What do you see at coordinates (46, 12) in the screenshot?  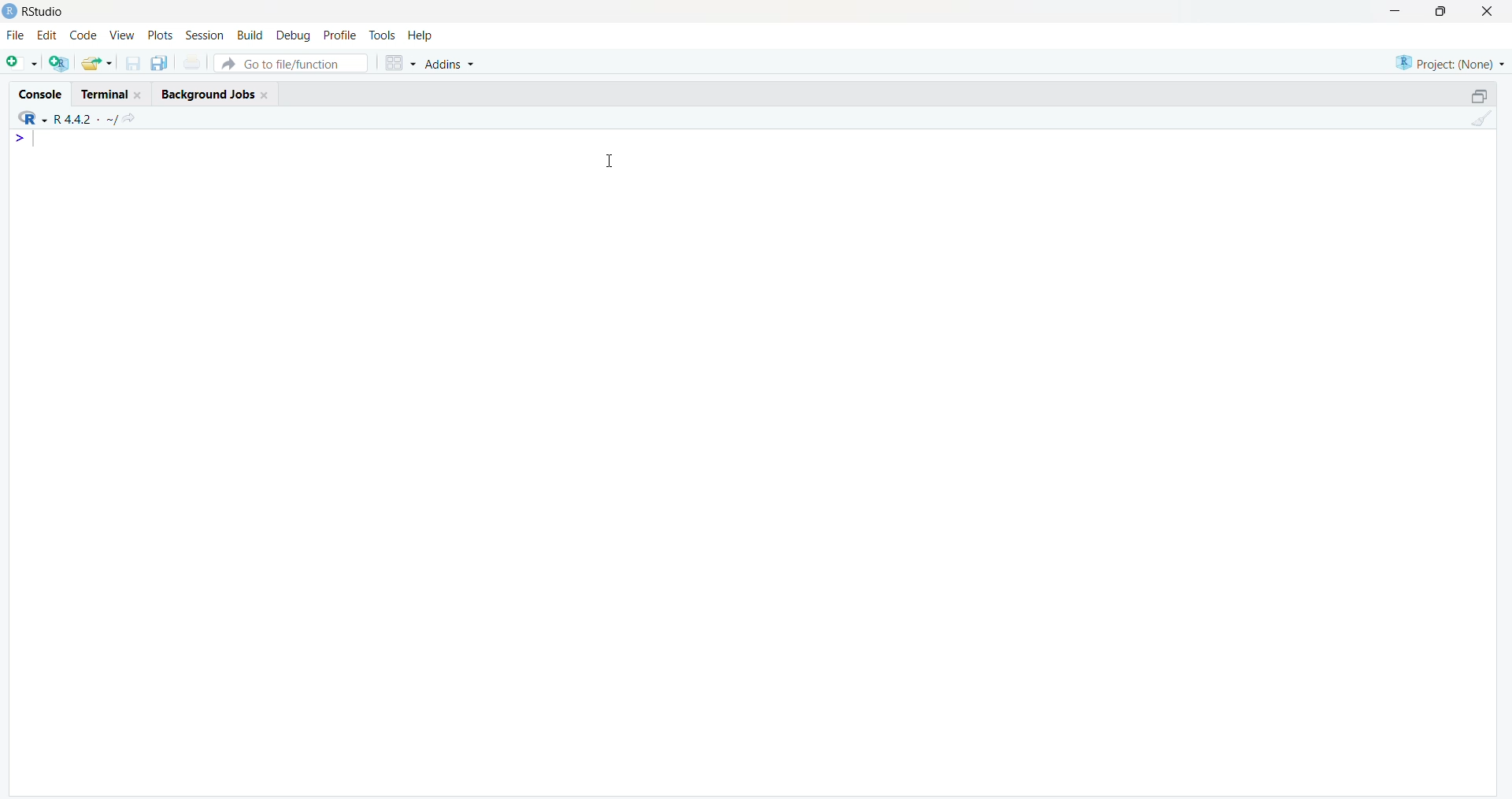 I see `RStudio` at bounding box center [46, 12].